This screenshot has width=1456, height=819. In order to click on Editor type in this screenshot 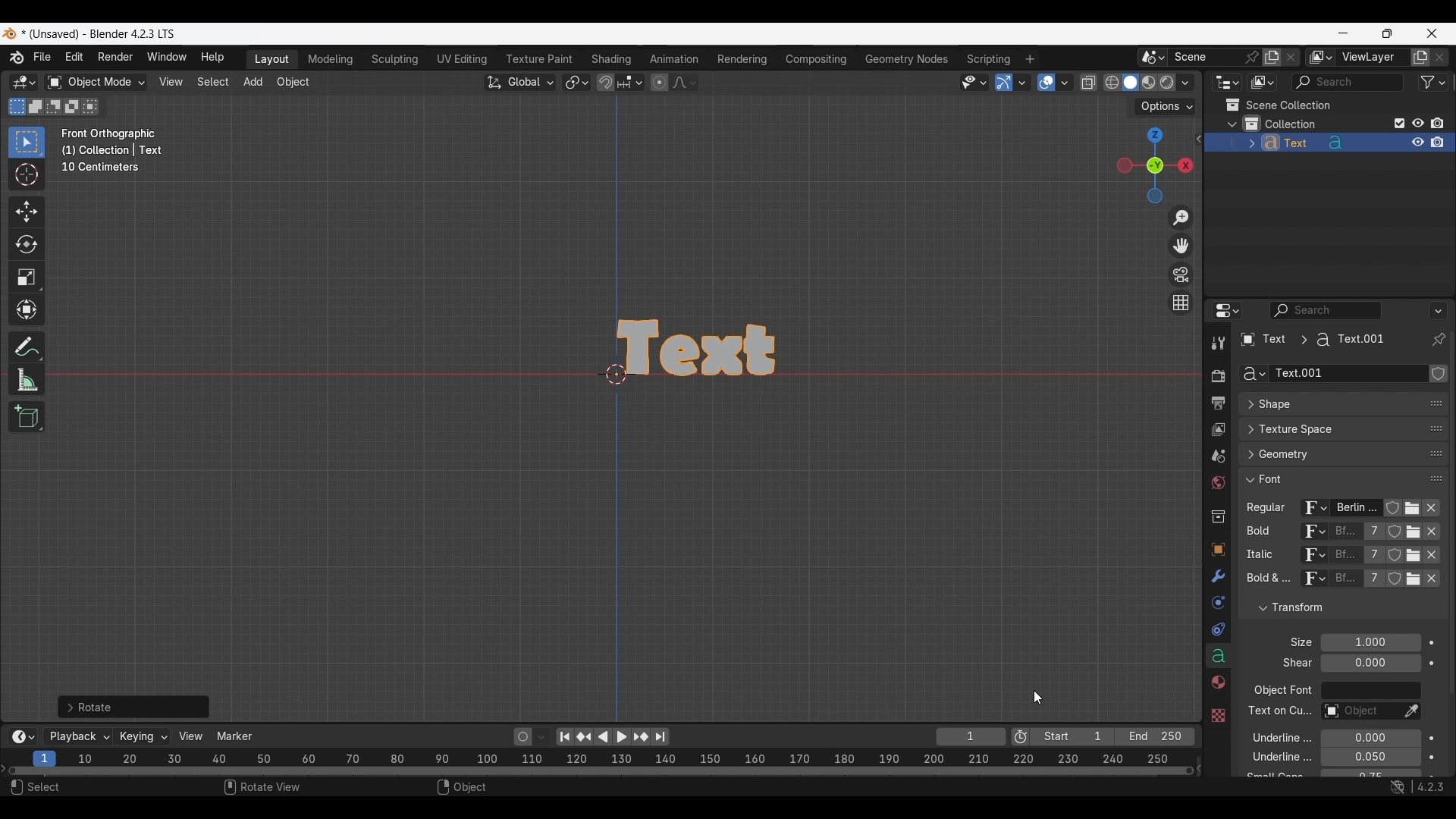, I will do `click(1227, 82)`.